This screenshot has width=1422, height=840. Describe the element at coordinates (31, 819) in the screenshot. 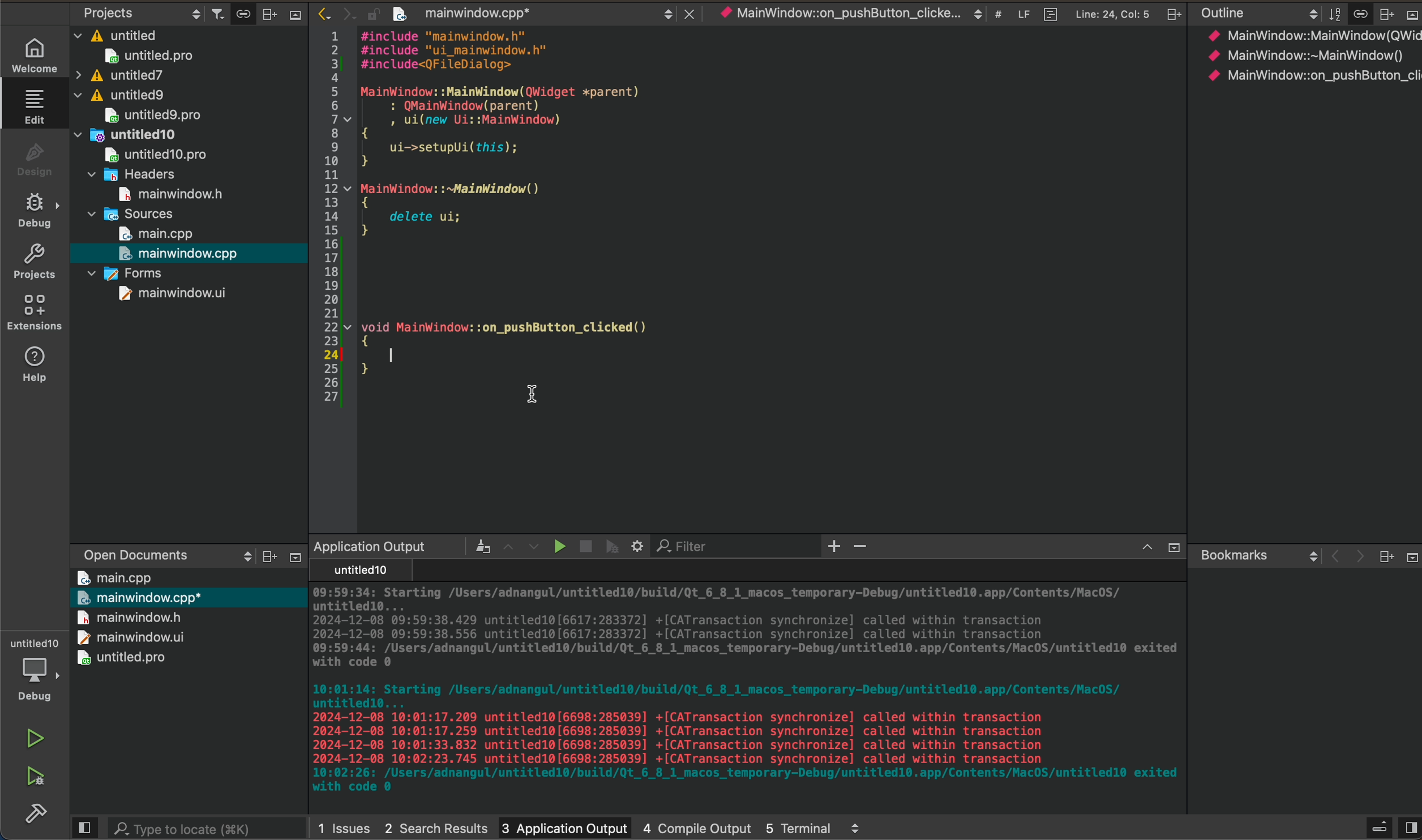

I see `build` at that location.